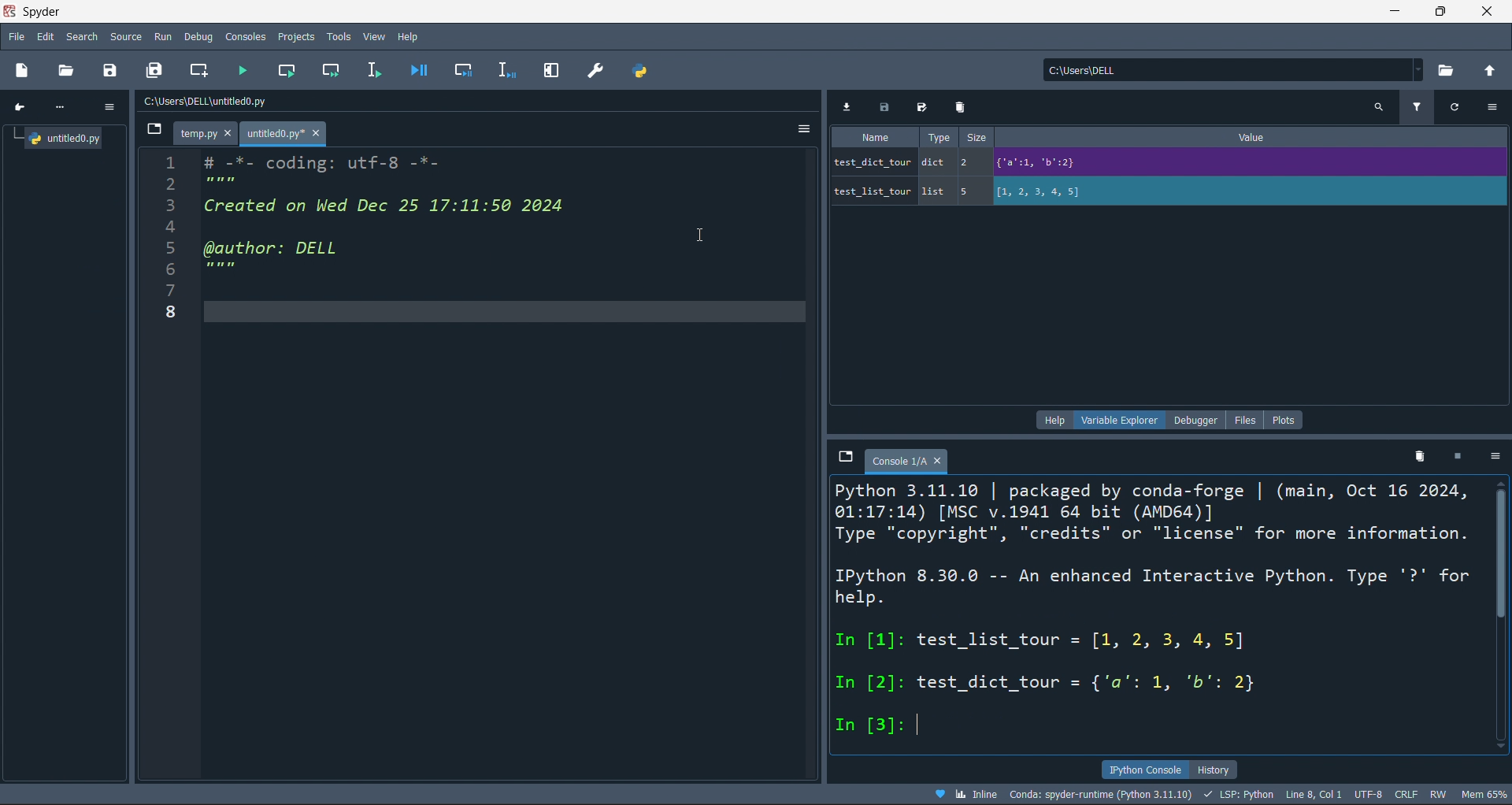 This screenshot has height=805, width=1512. What do you see at coordinates (870, 162) in the screenshot?
I see `variable` at bounding box center [870, 162].